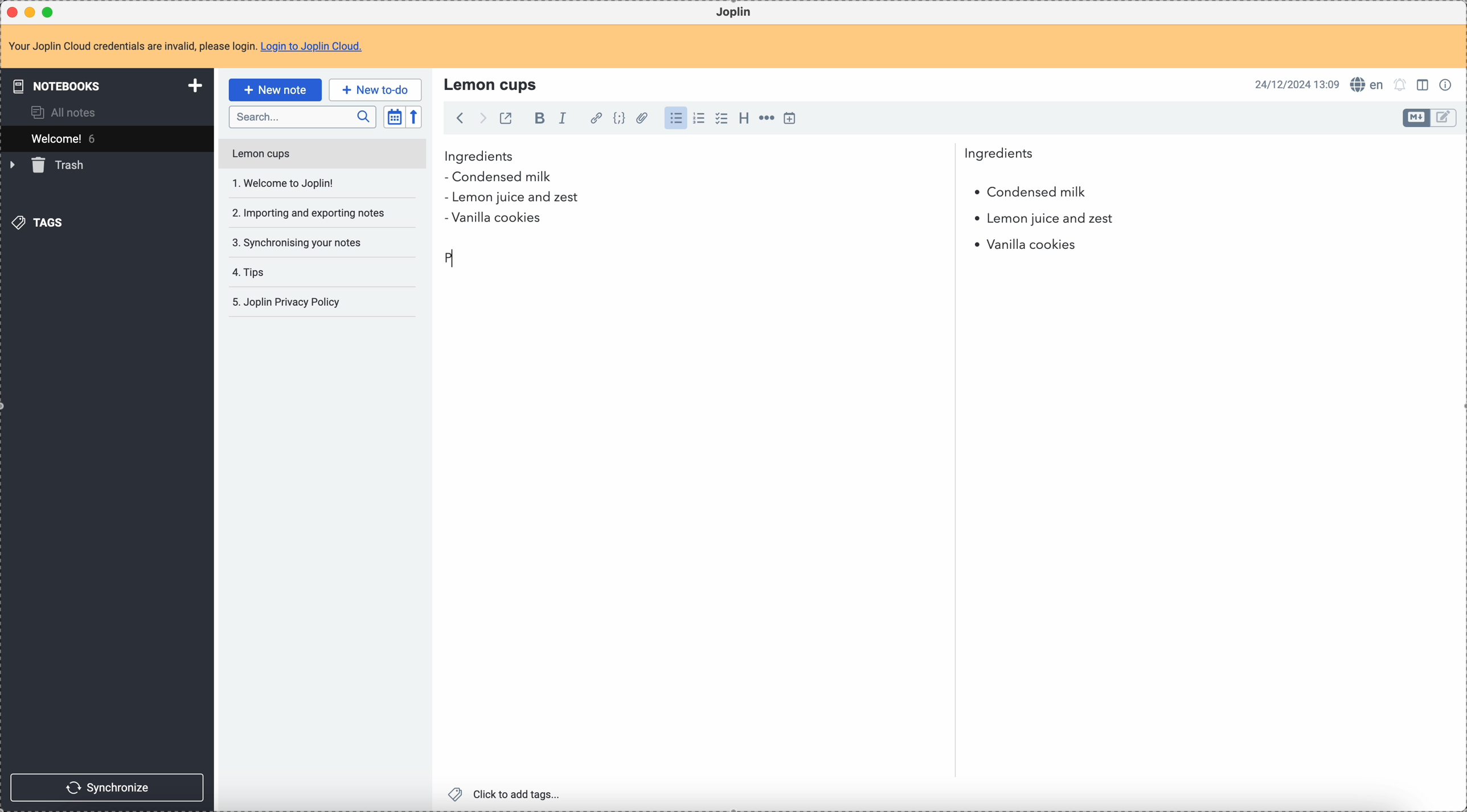 The image size is (1467, 812). I want to click on hyperlink, so click(594, 119).